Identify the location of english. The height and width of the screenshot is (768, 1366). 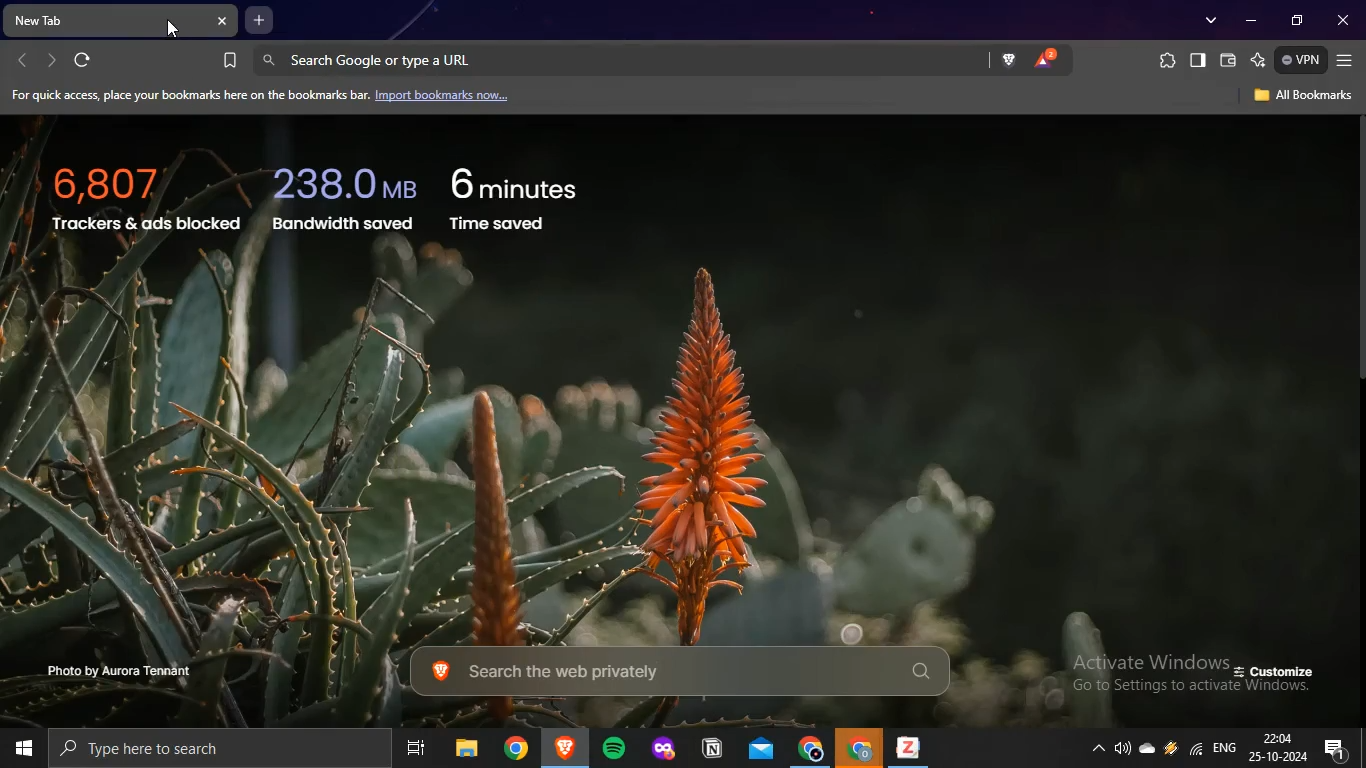
(1229, 748).